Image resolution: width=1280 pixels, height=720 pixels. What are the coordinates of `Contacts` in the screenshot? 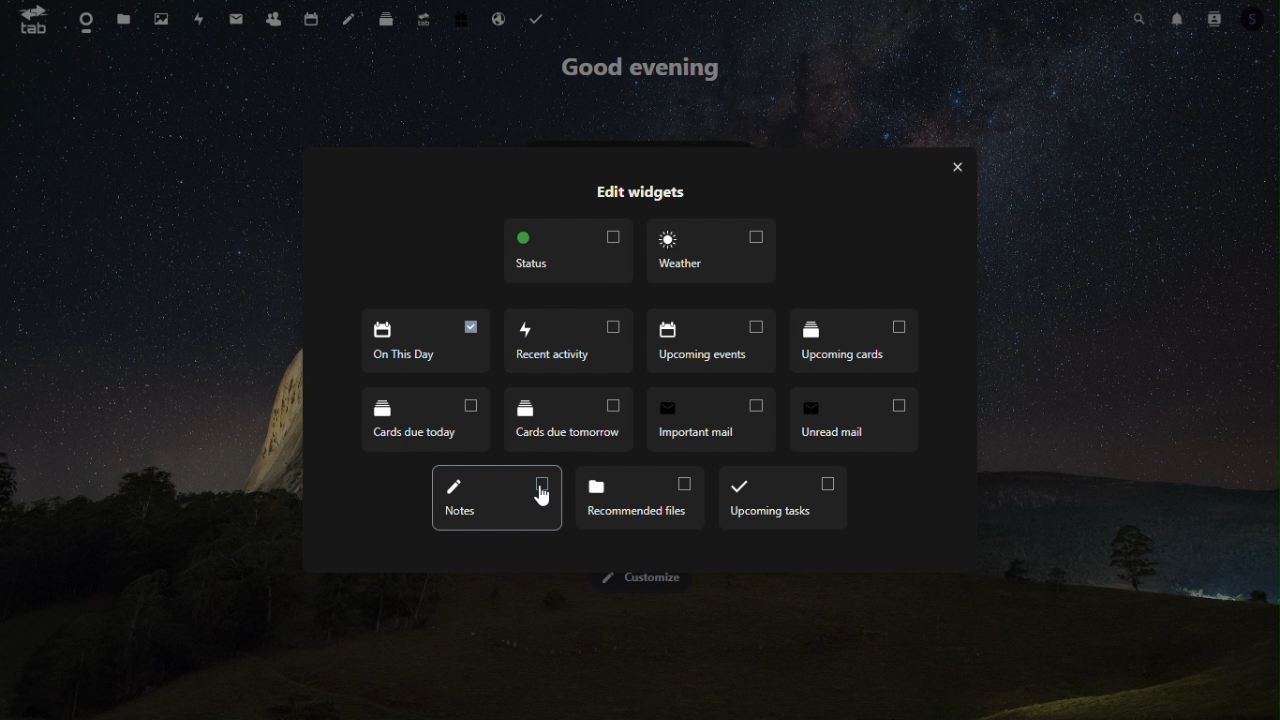 It's located at (1213, 16).